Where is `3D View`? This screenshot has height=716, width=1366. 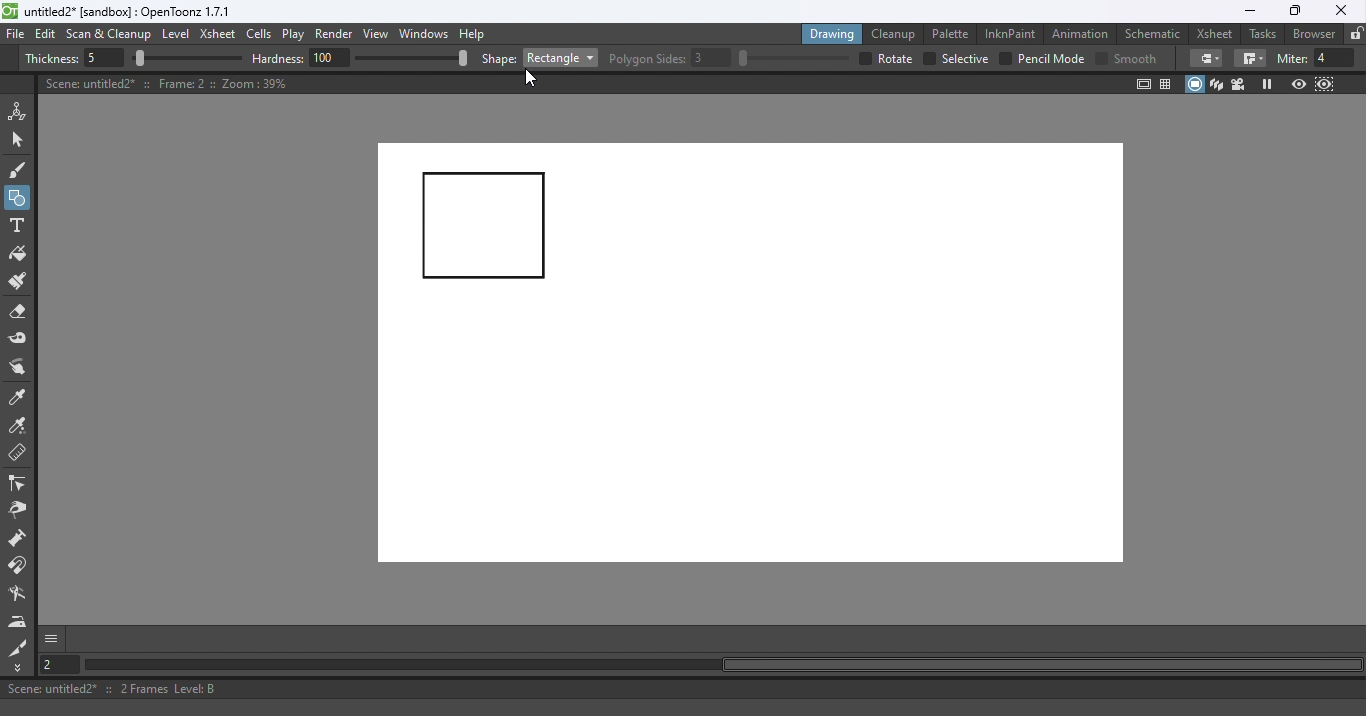 3D View is located at coordinates (1218, 84).